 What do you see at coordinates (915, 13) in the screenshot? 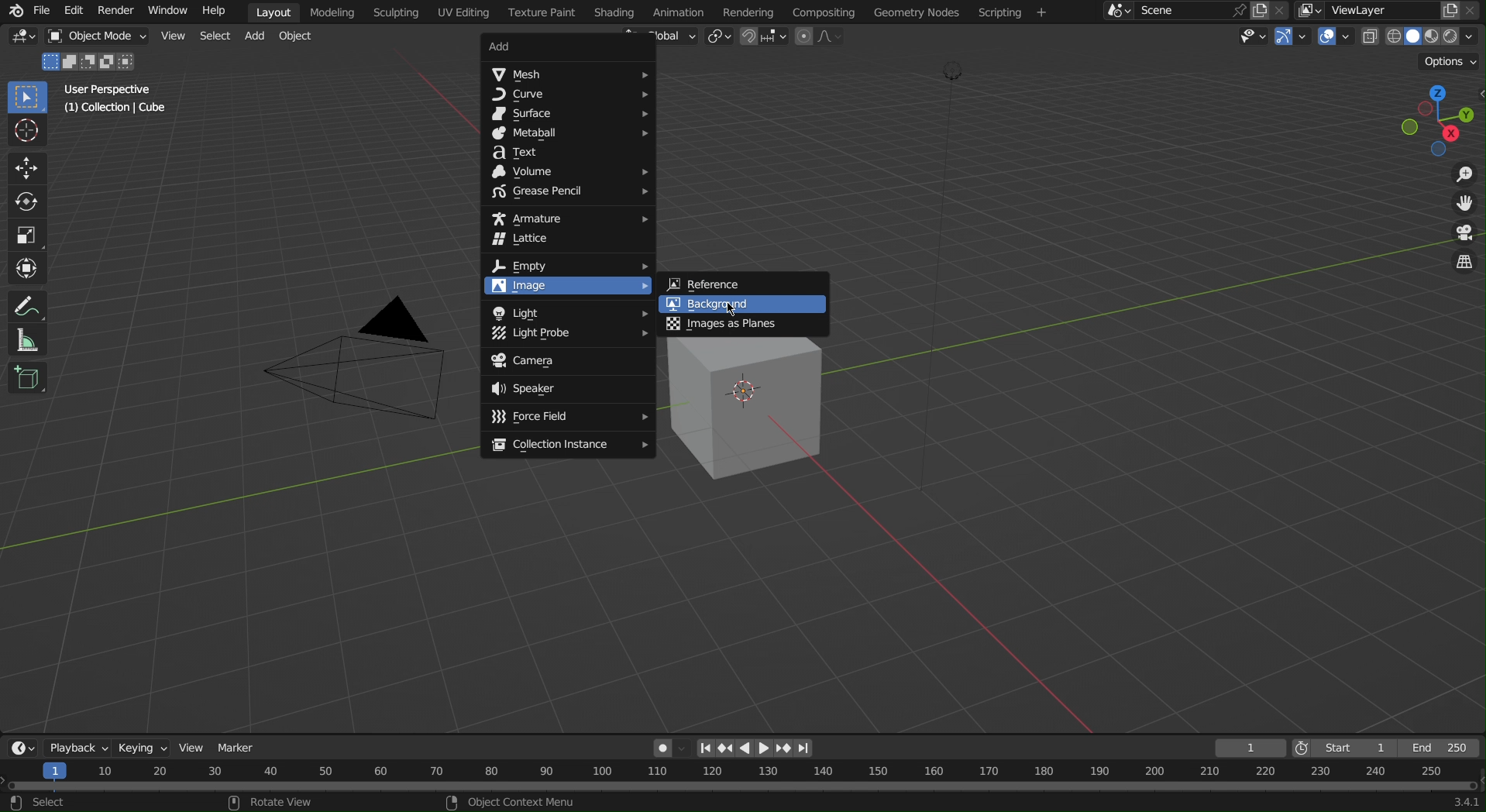
I see `Geometry Nodes` at bounding box center [915, 13].